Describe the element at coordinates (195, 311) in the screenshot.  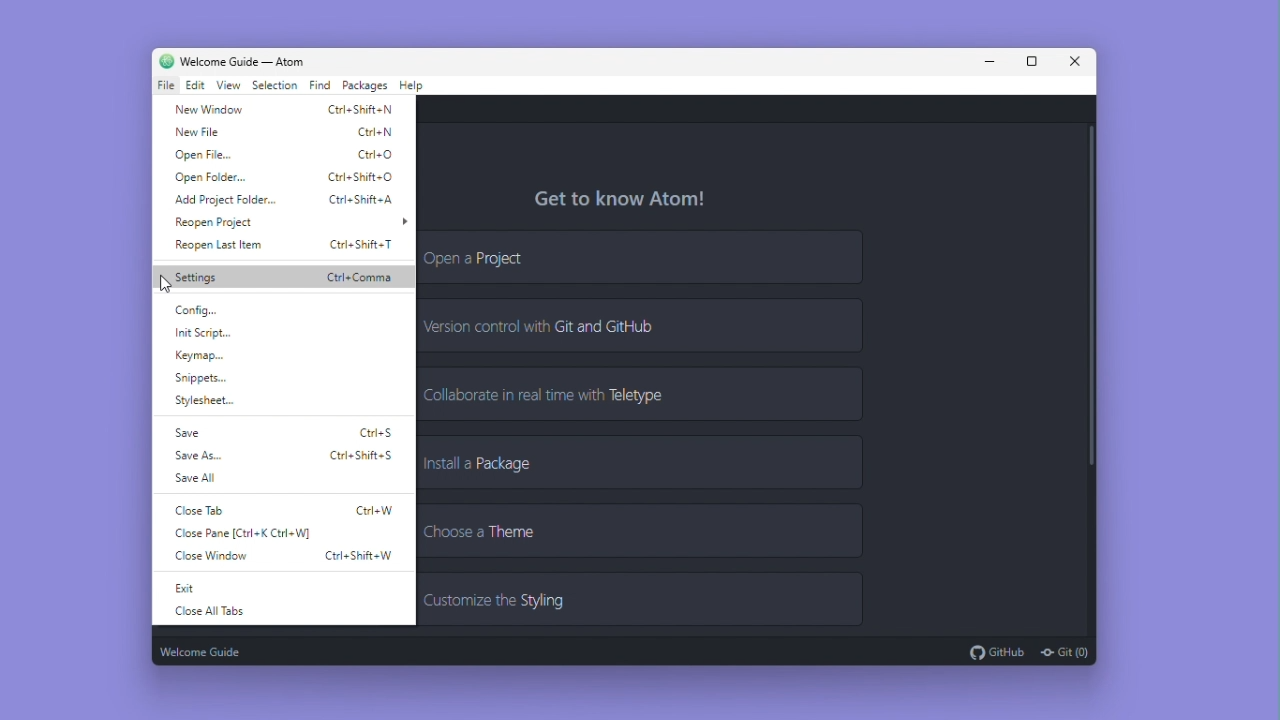
I see `Config` at that location.